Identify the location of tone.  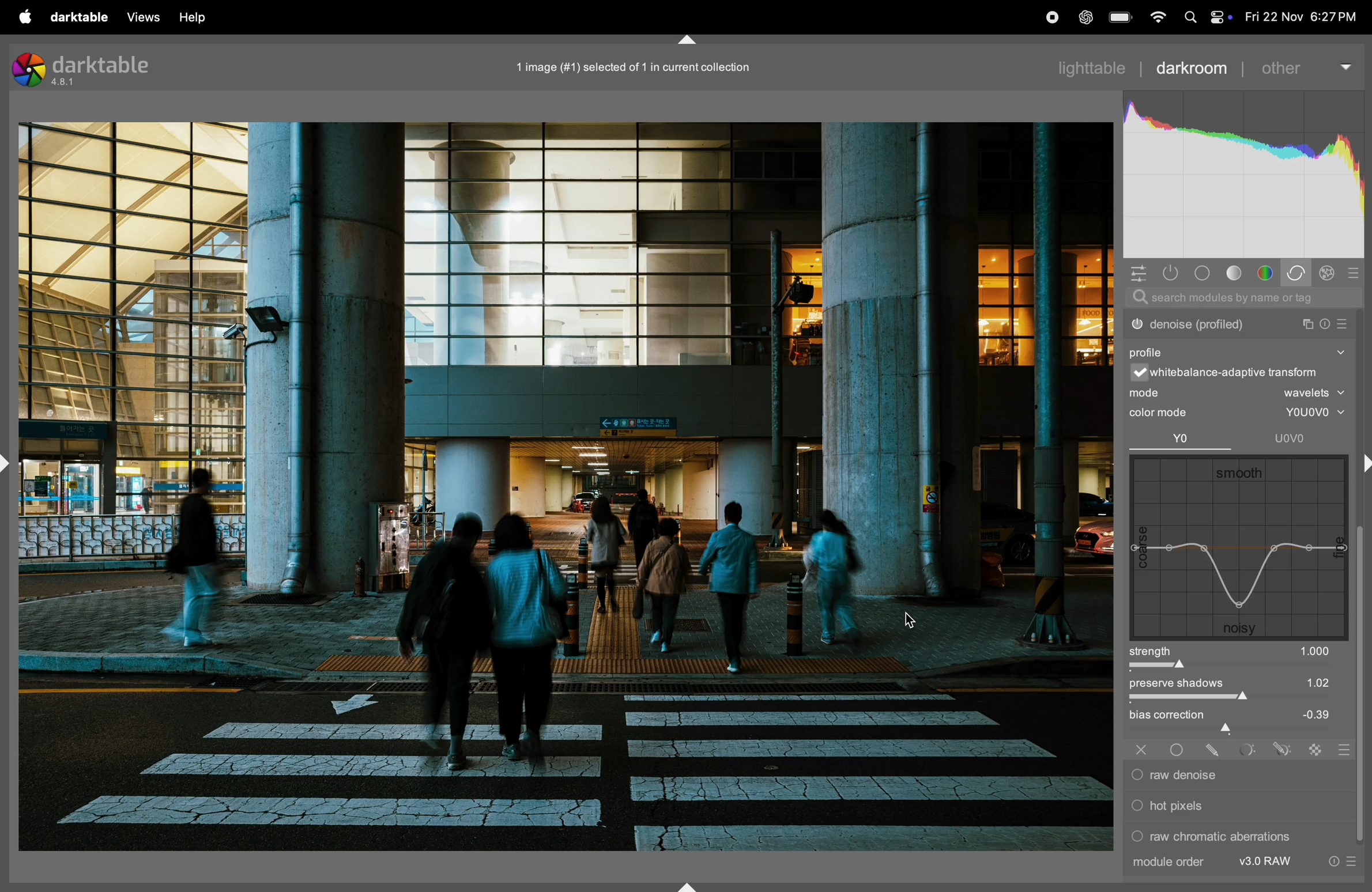
(1236, 273).